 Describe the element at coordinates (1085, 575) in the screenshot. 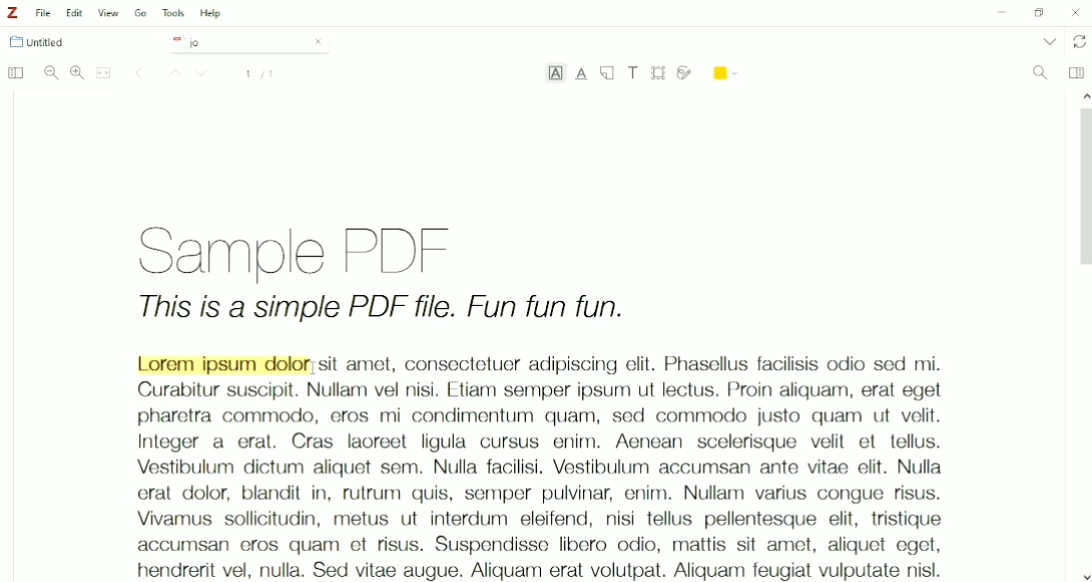

I see `Down` at that location.